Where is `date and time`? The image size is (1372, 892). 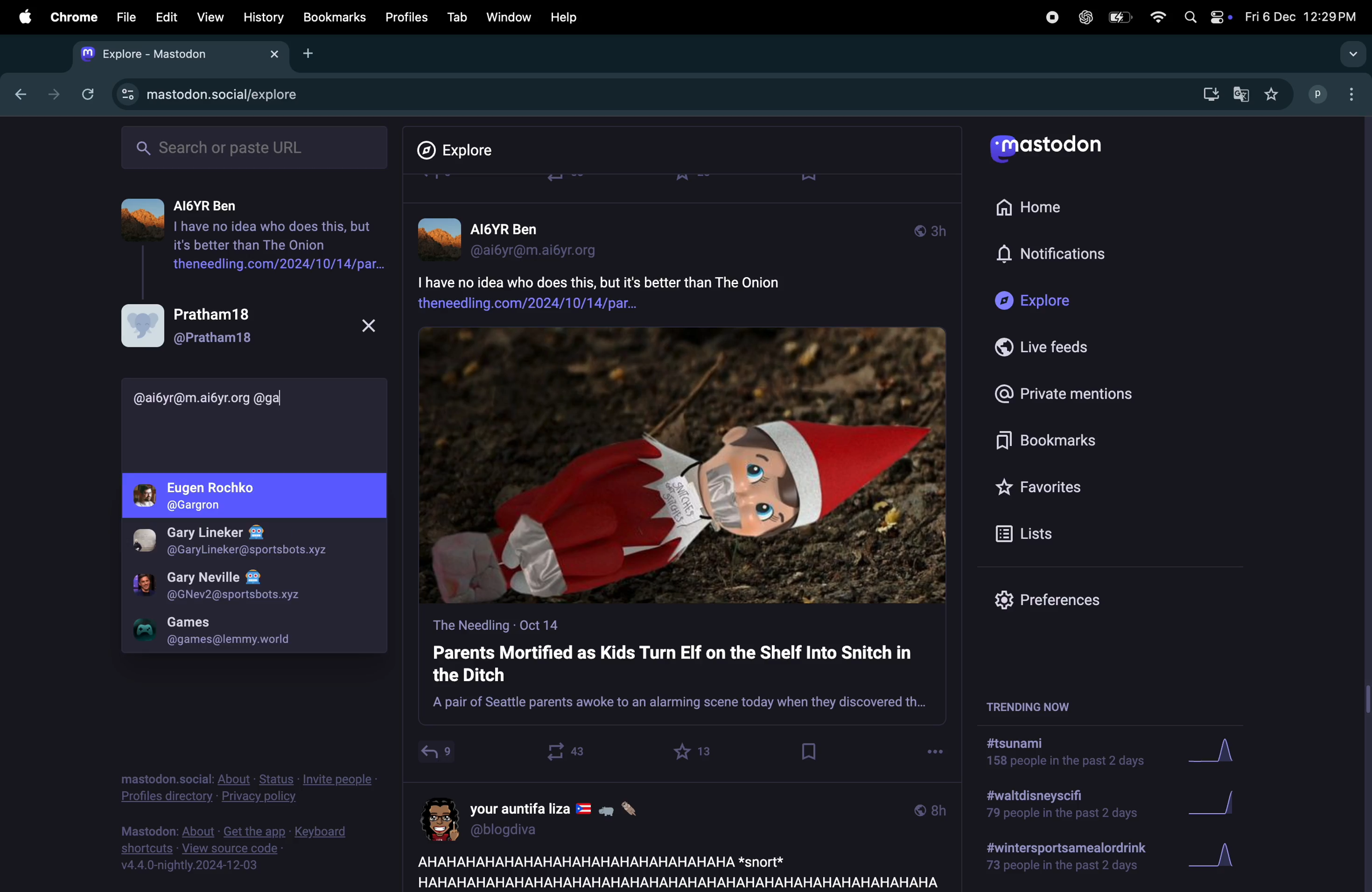 date and time is located at coordinates (1299, 17).